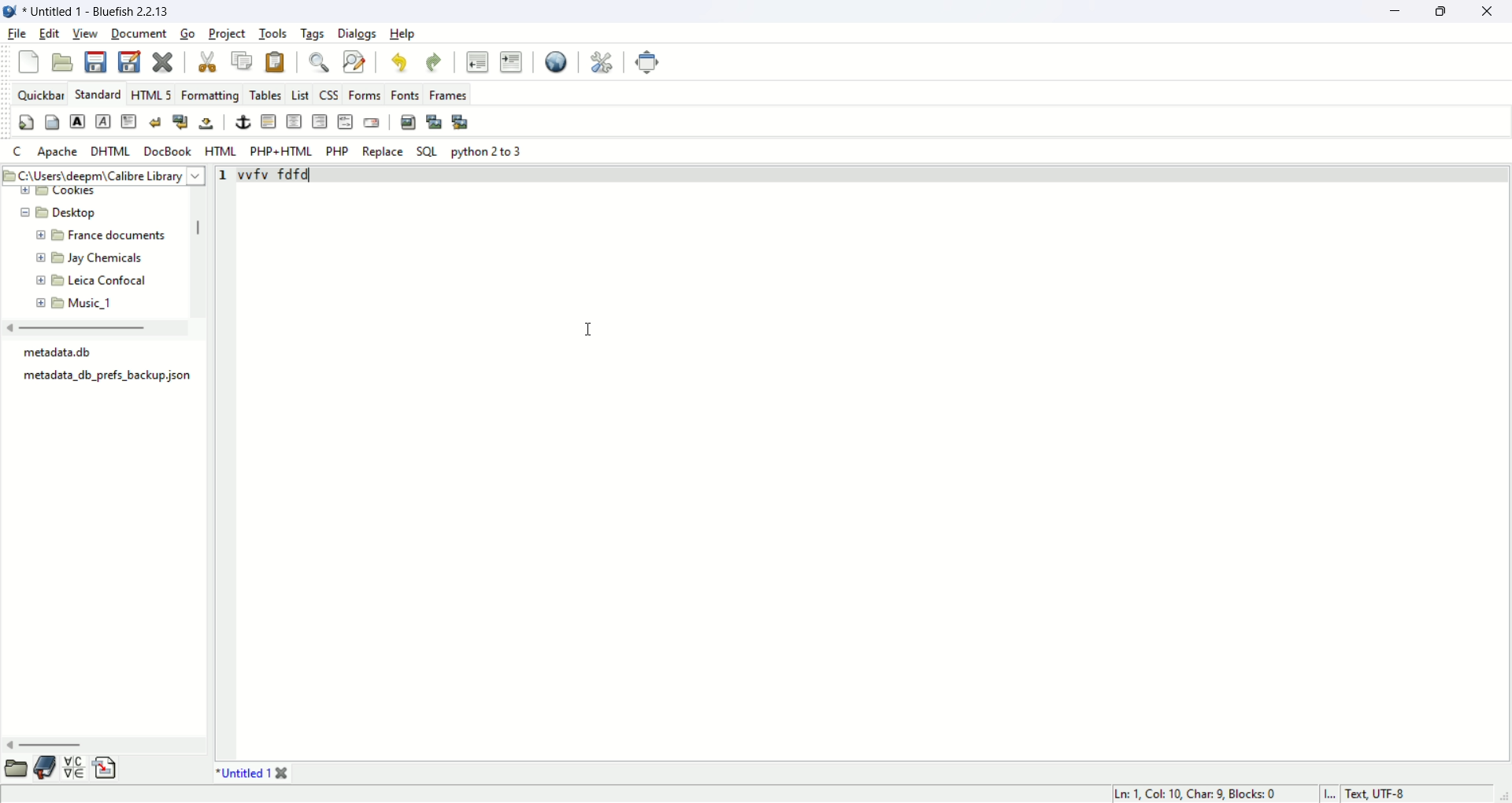  What do you see at coordinates (102, 10) in the screenshot?
I see `title` at bounding box center [102, 10].